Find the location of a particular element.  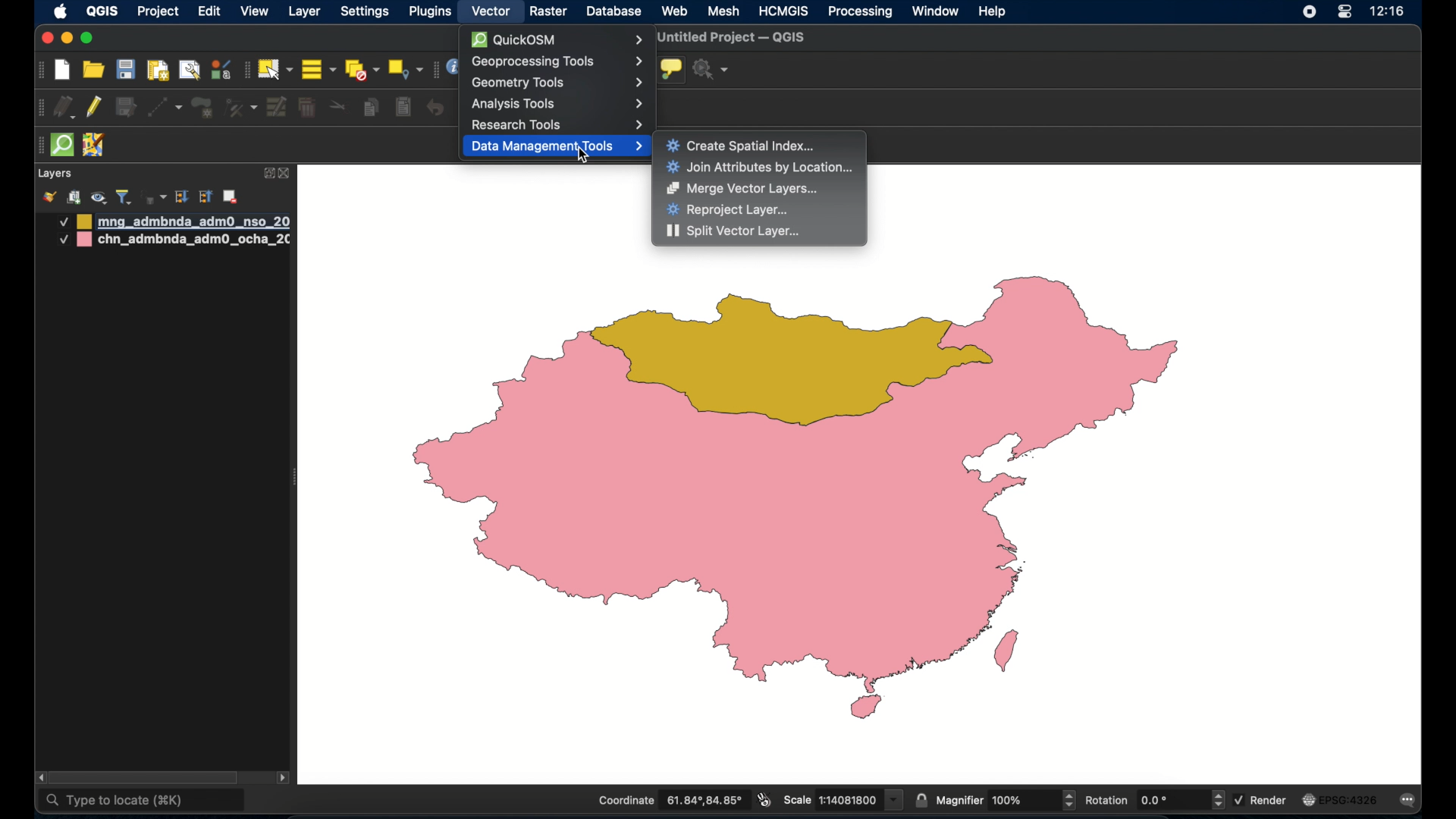

layer is located at coordinates (306, 11).